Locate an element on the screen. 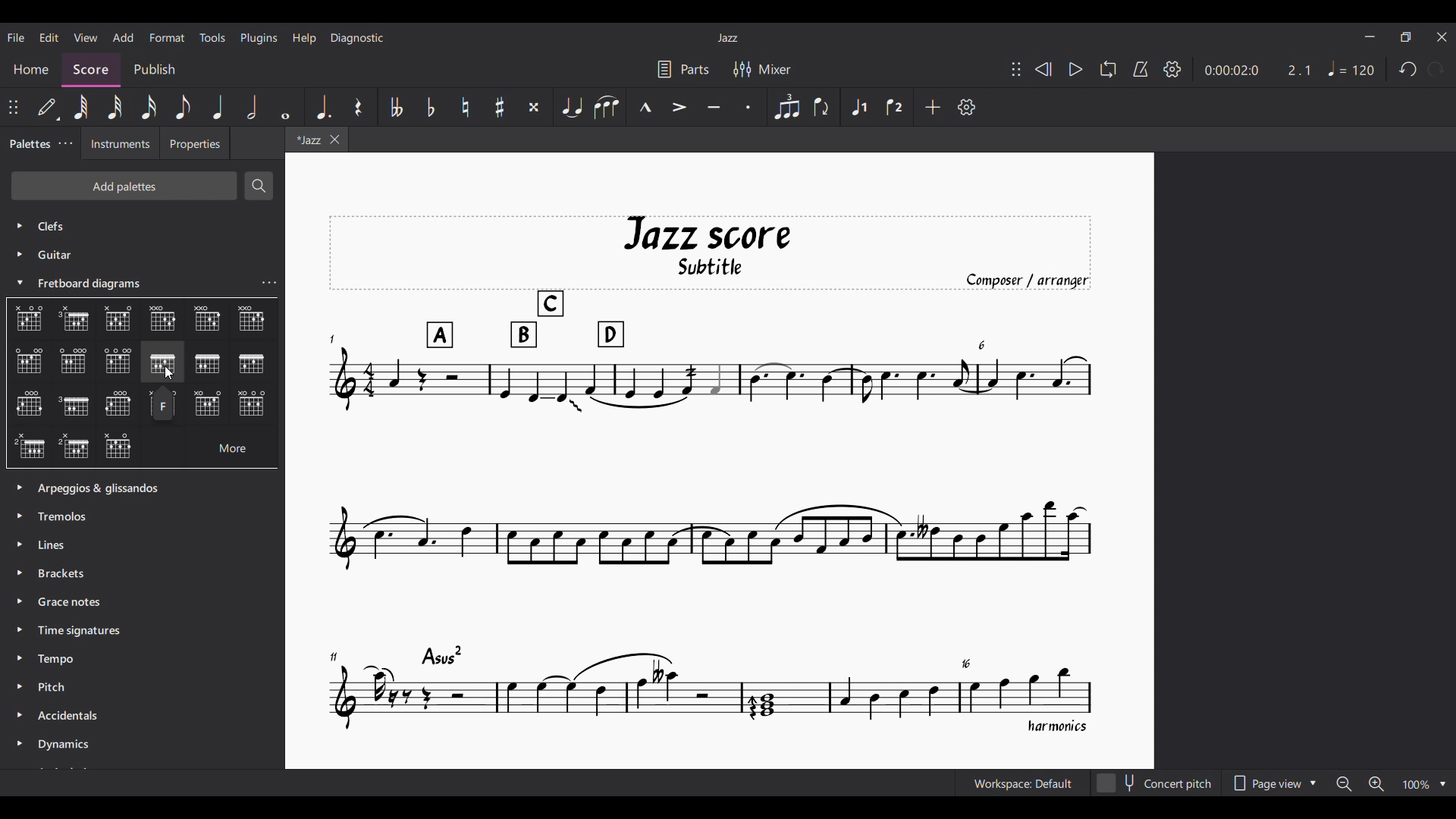  Undo is located at coordinates (1407, 70).